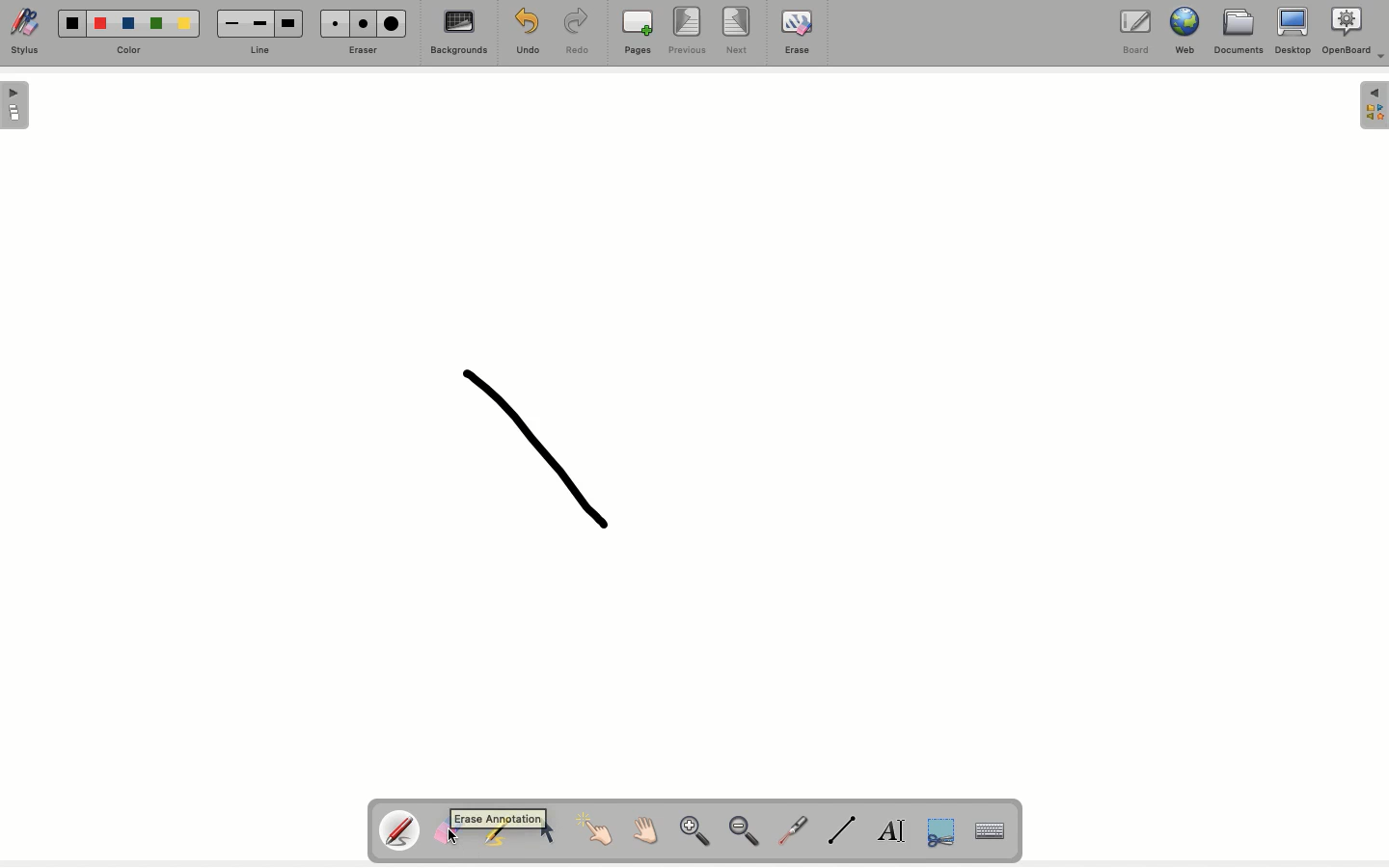  Describe the element at coordinates (694, 832) in the screenshot. I see `Zoom in` at that location.